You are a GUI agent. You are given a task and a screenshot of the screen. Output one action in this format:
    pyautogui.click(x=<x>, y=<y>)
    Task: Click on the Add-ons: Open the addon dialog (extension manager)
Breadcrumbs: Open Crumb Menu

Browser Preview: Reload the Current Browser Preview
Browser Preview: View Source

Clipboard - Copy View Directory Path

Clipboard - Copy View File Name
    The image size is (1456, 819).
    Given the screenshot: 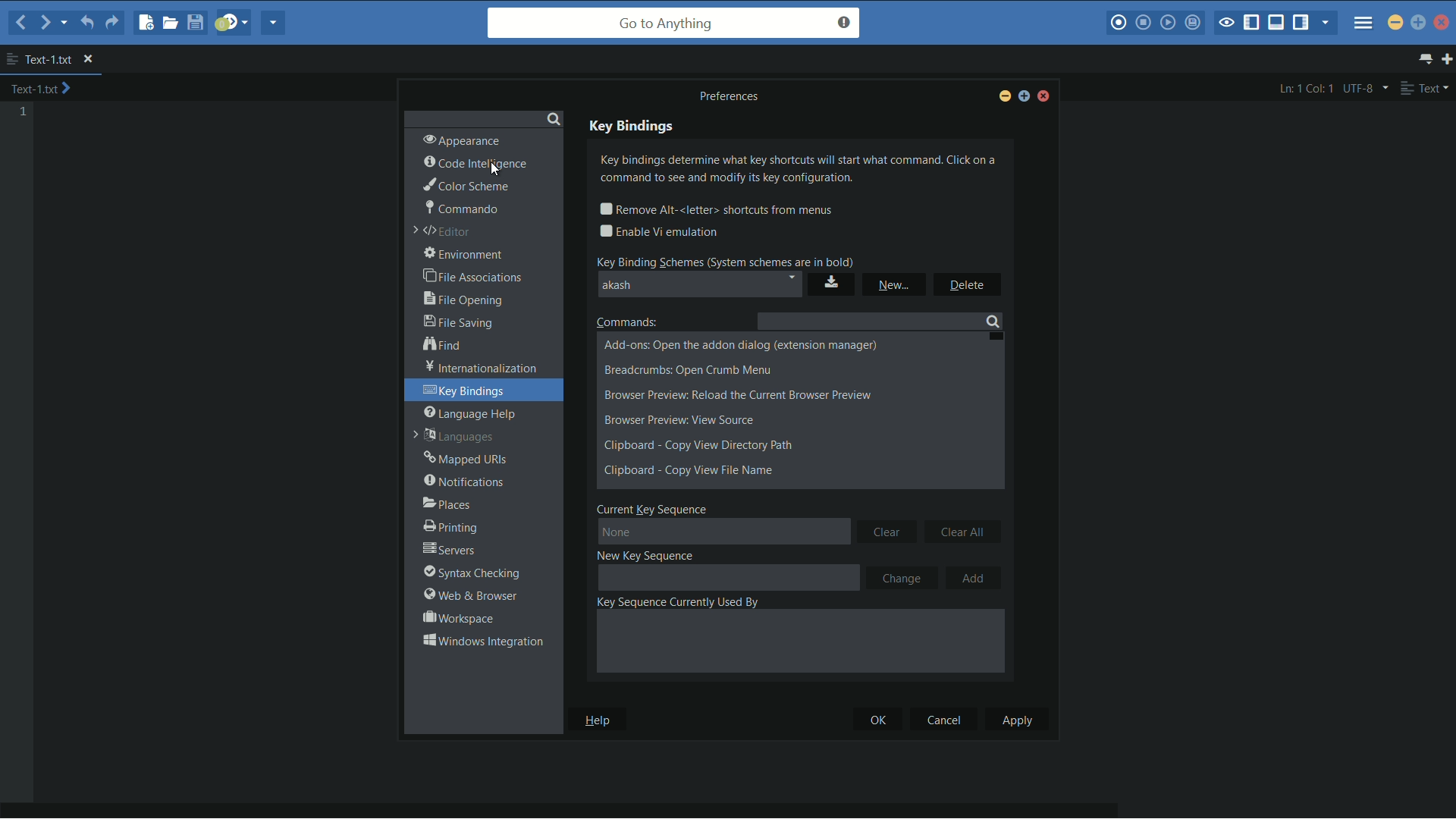 What is the action you would take?
    pyautogui.click(x=758, y=409)
    